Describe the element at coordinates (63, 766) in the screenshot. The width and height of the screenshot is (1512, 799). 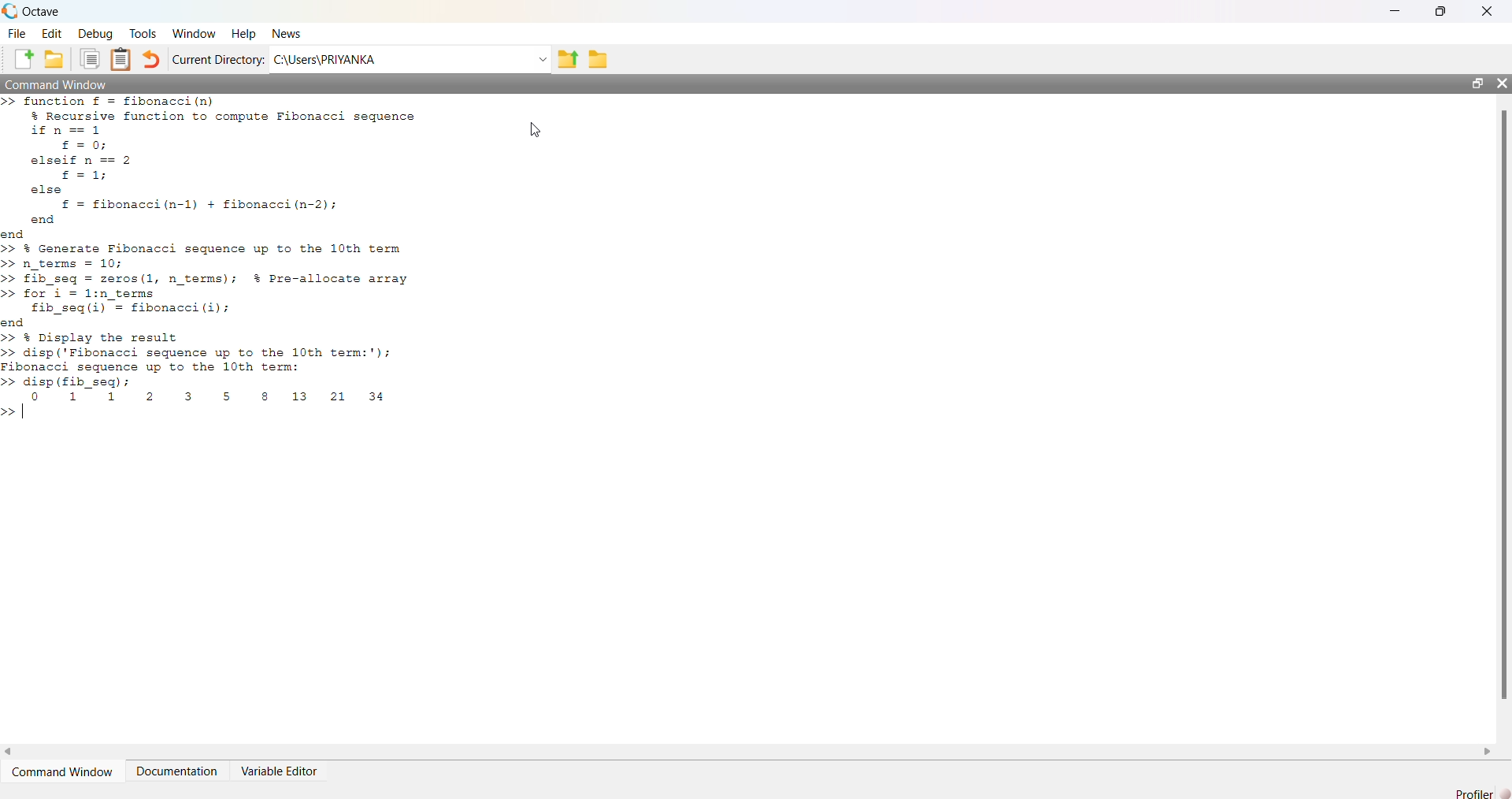
I see `‘Command Window` at that location.